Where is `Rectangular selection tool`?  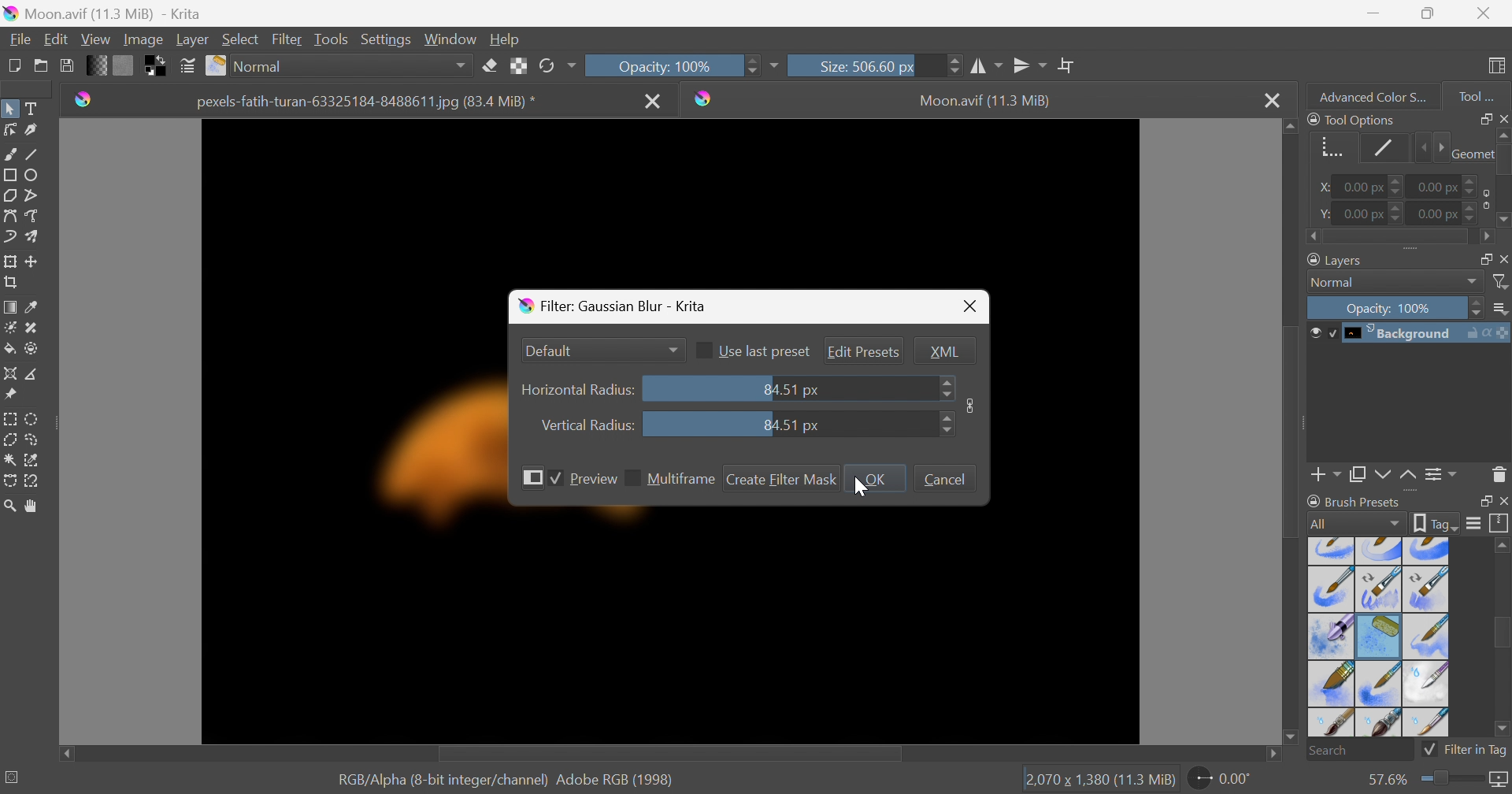
Rectangular selection tool is located at coordinates (12, 419).